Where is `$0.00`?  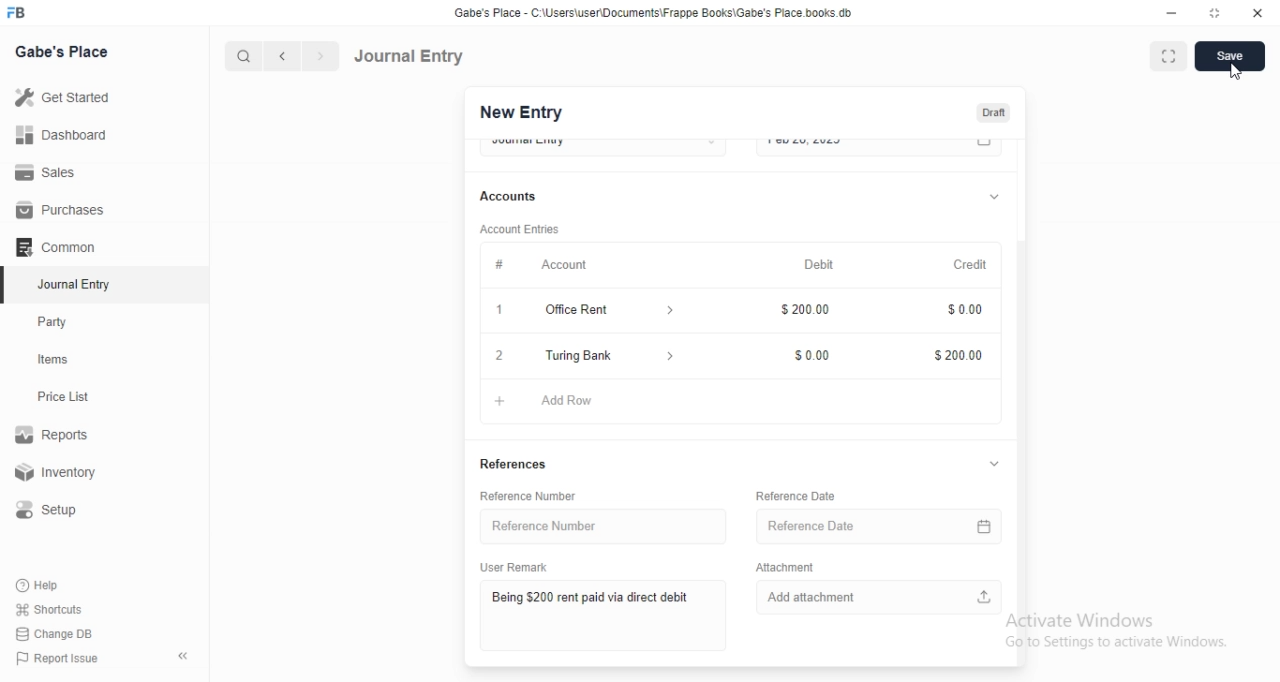
$0.00 is located at coordinates (804, 355).